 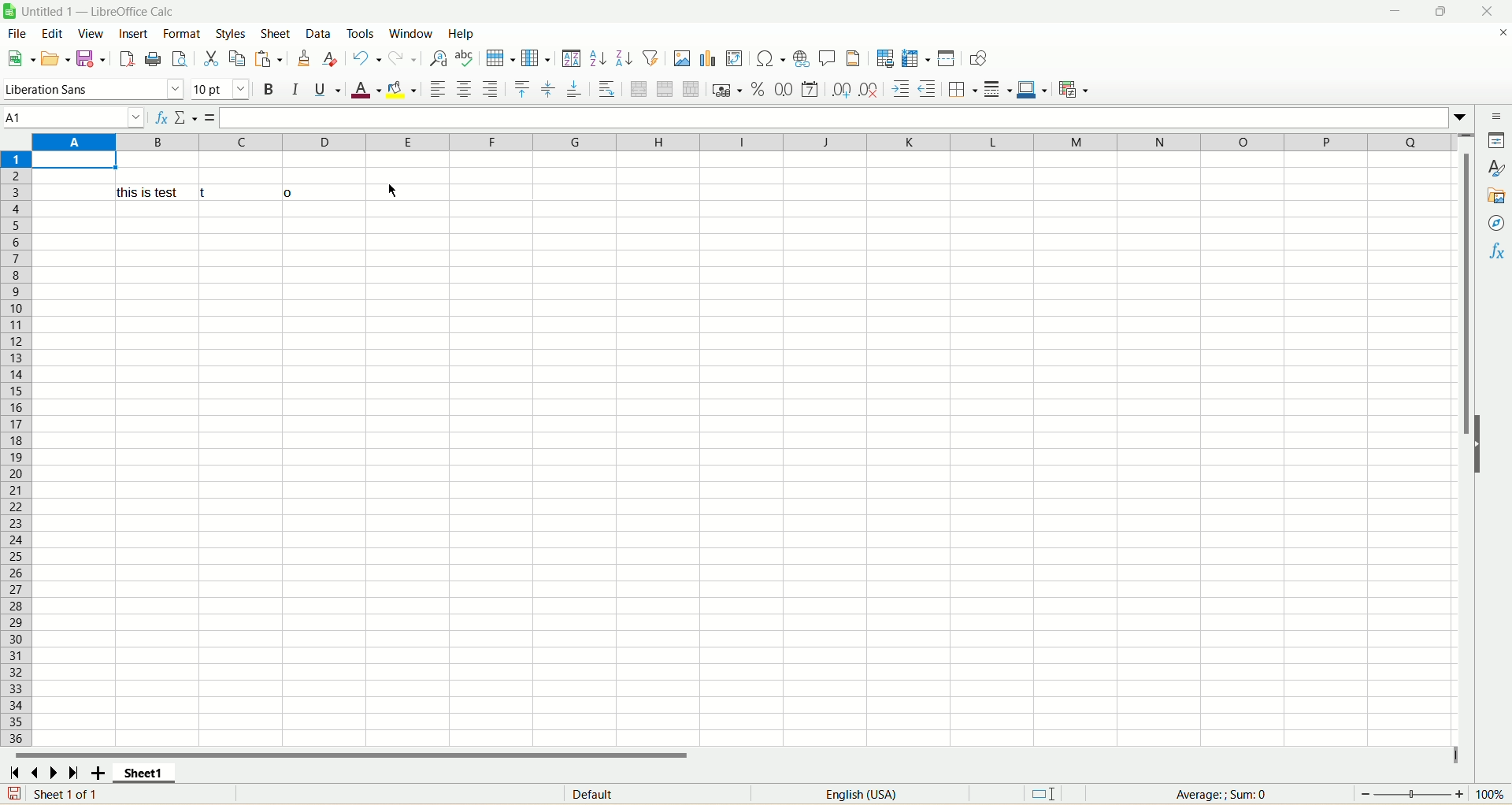 What do you see at coordinates (885, 60) in the screenshot?
I see `define print area` at bounding box center [885, 60].